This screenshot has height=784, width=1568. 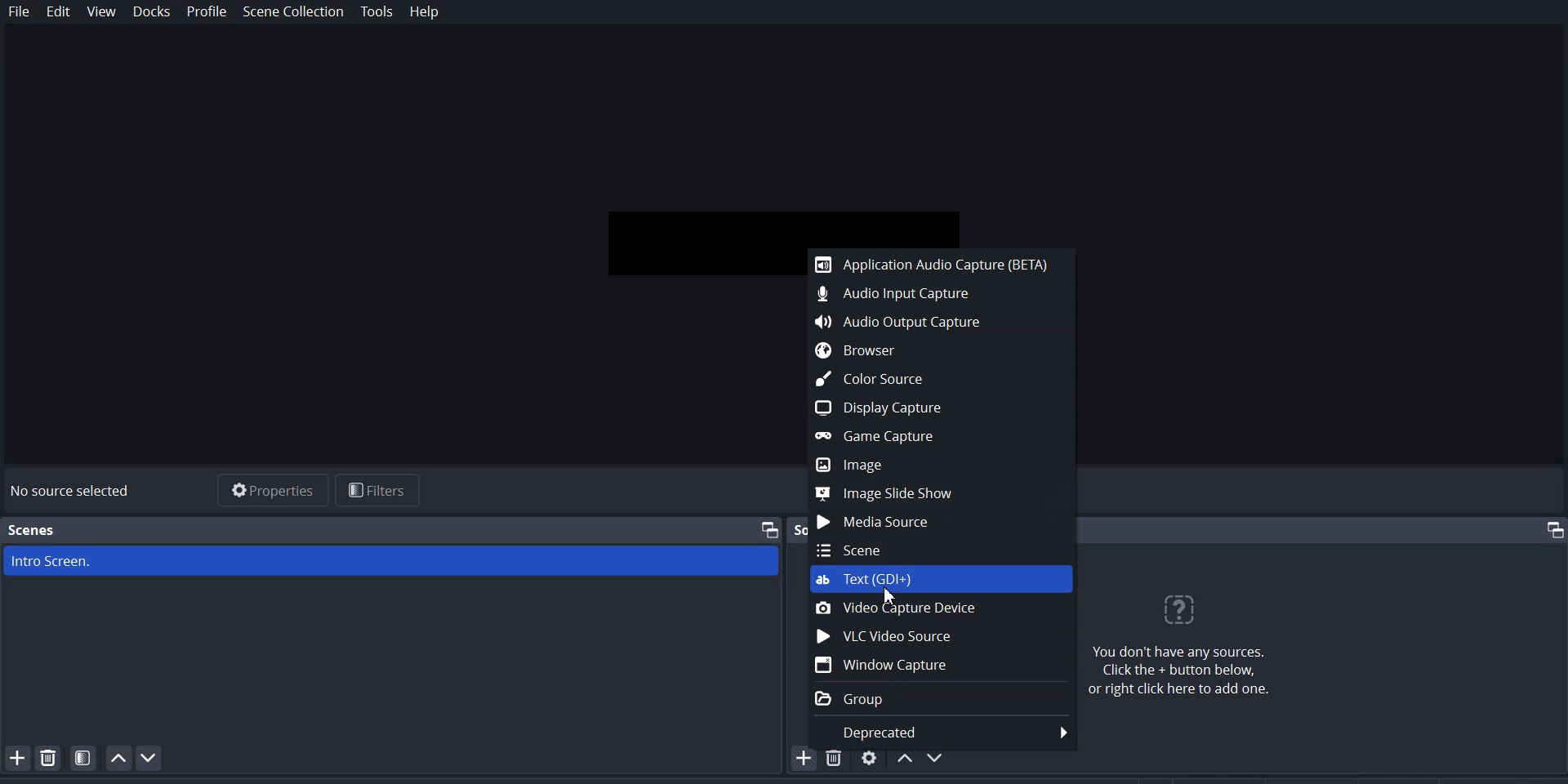 What do you see at coordinates (889, 597) in the screenshot?
I see `Cursor` at bounding box center [889, 597].